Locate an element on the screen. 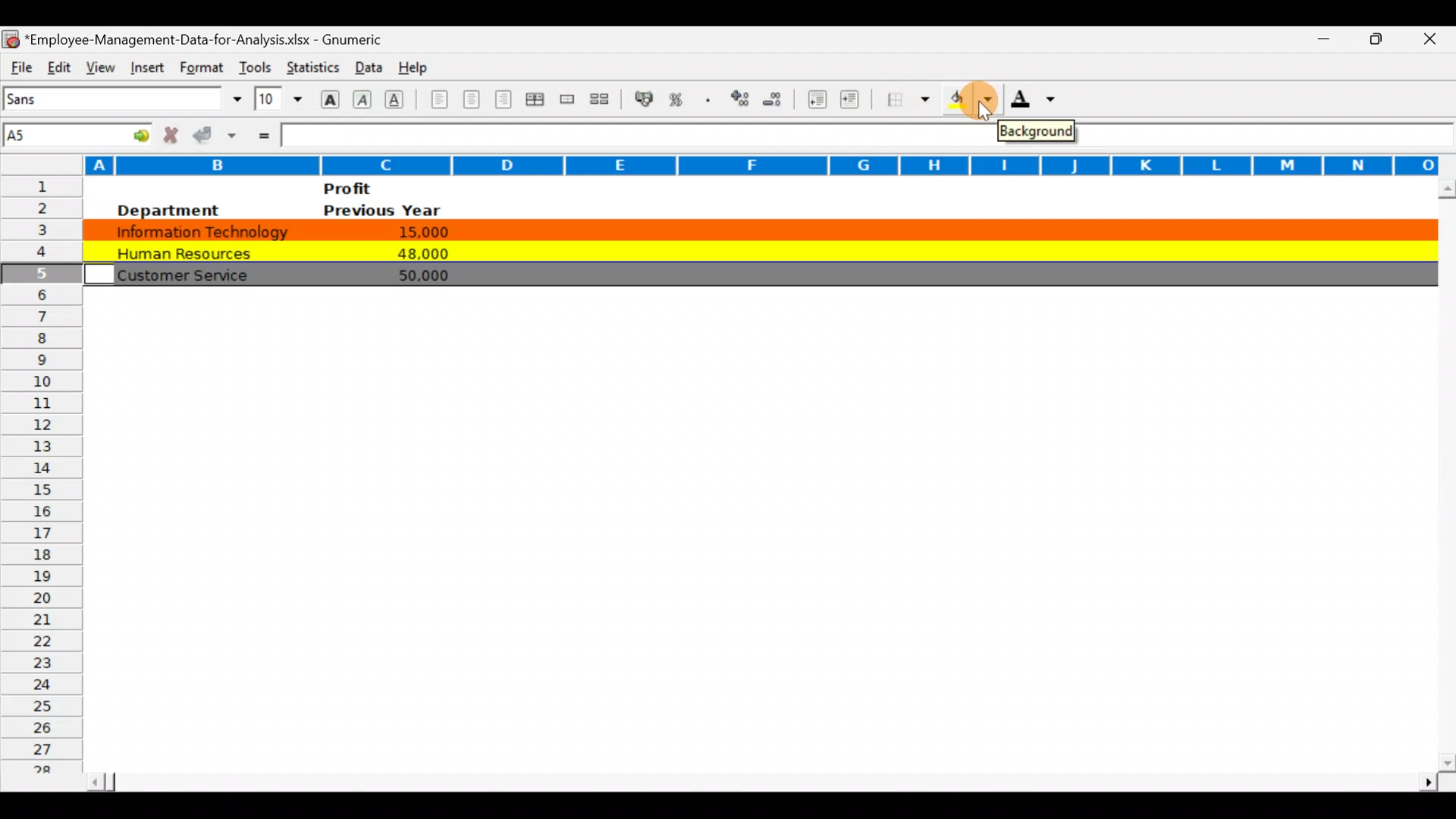  Bold is located at coordinates (328, 98).